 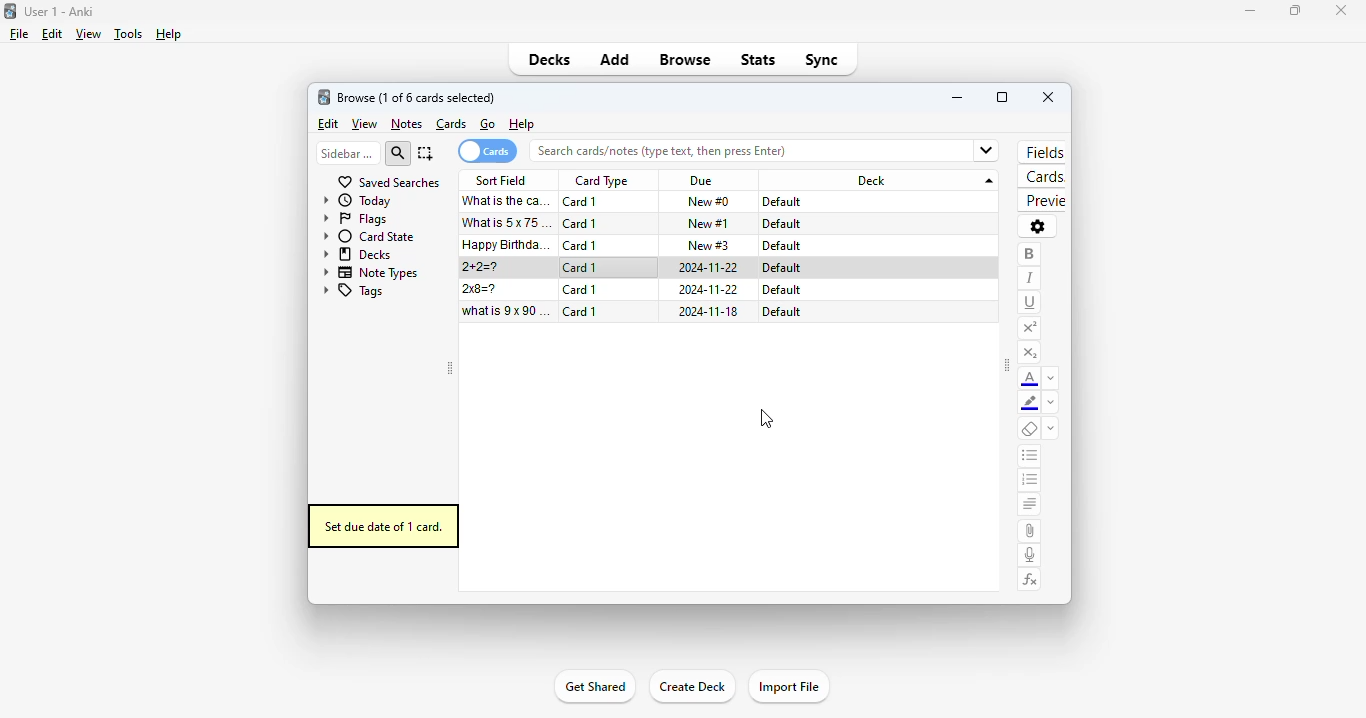 I want to click on close, so click(x=1048, y=97).